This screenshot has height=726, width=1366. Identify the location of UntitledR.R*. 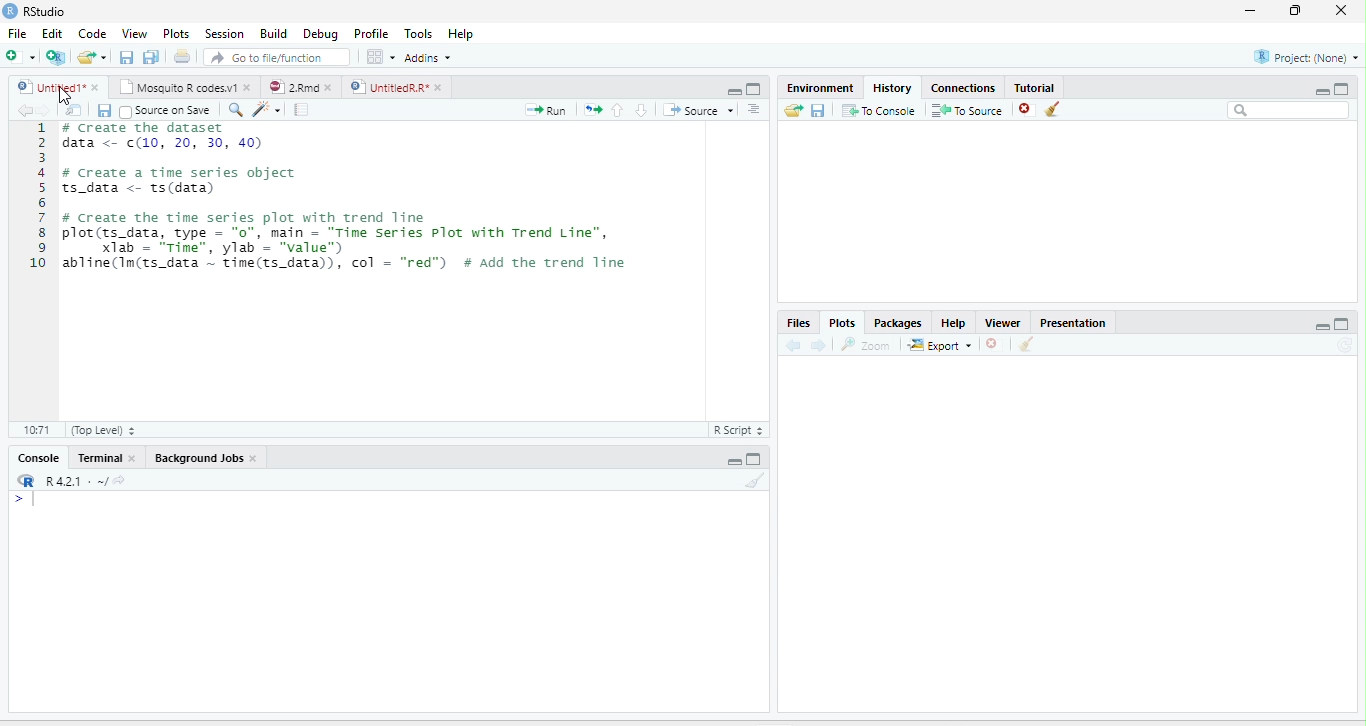
(388, 87).